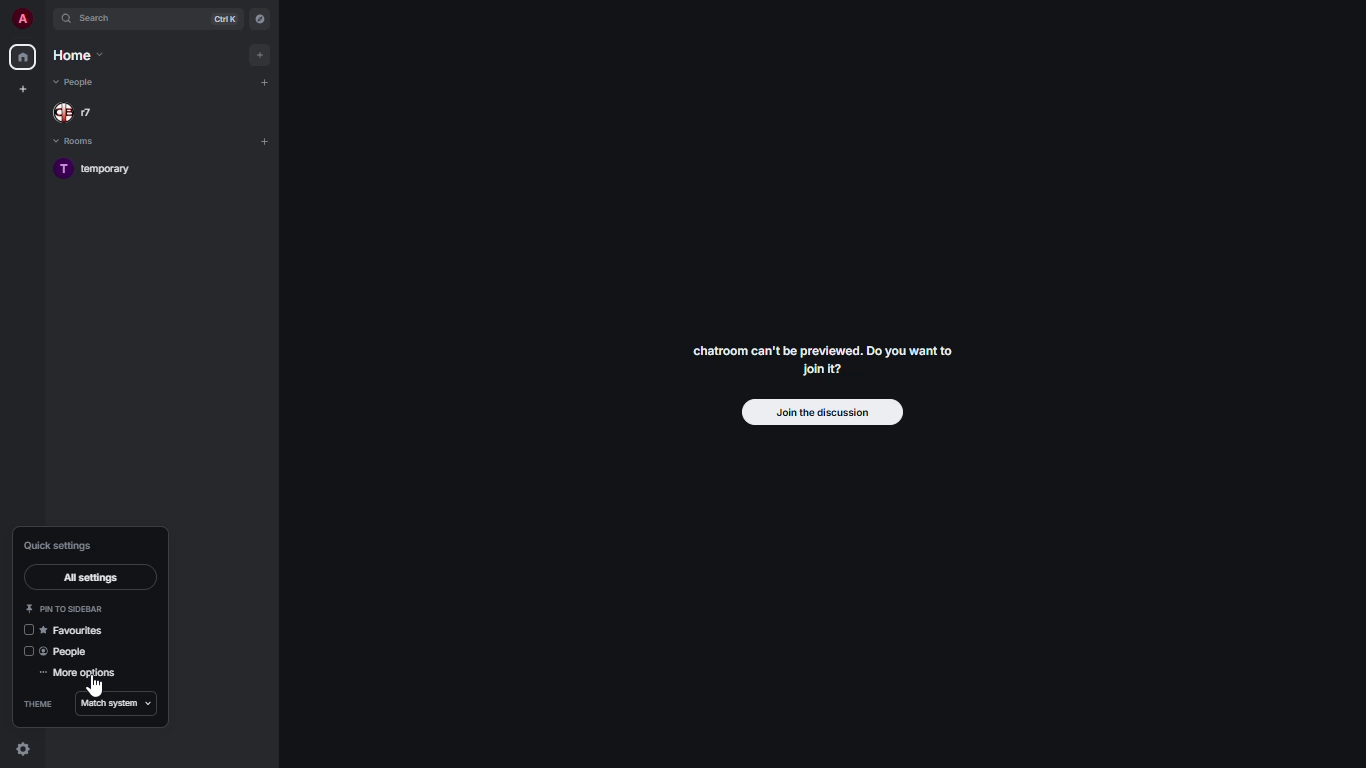  Describe the element at coordinates (77, 56) in the screenshot. I see `home` at that location.